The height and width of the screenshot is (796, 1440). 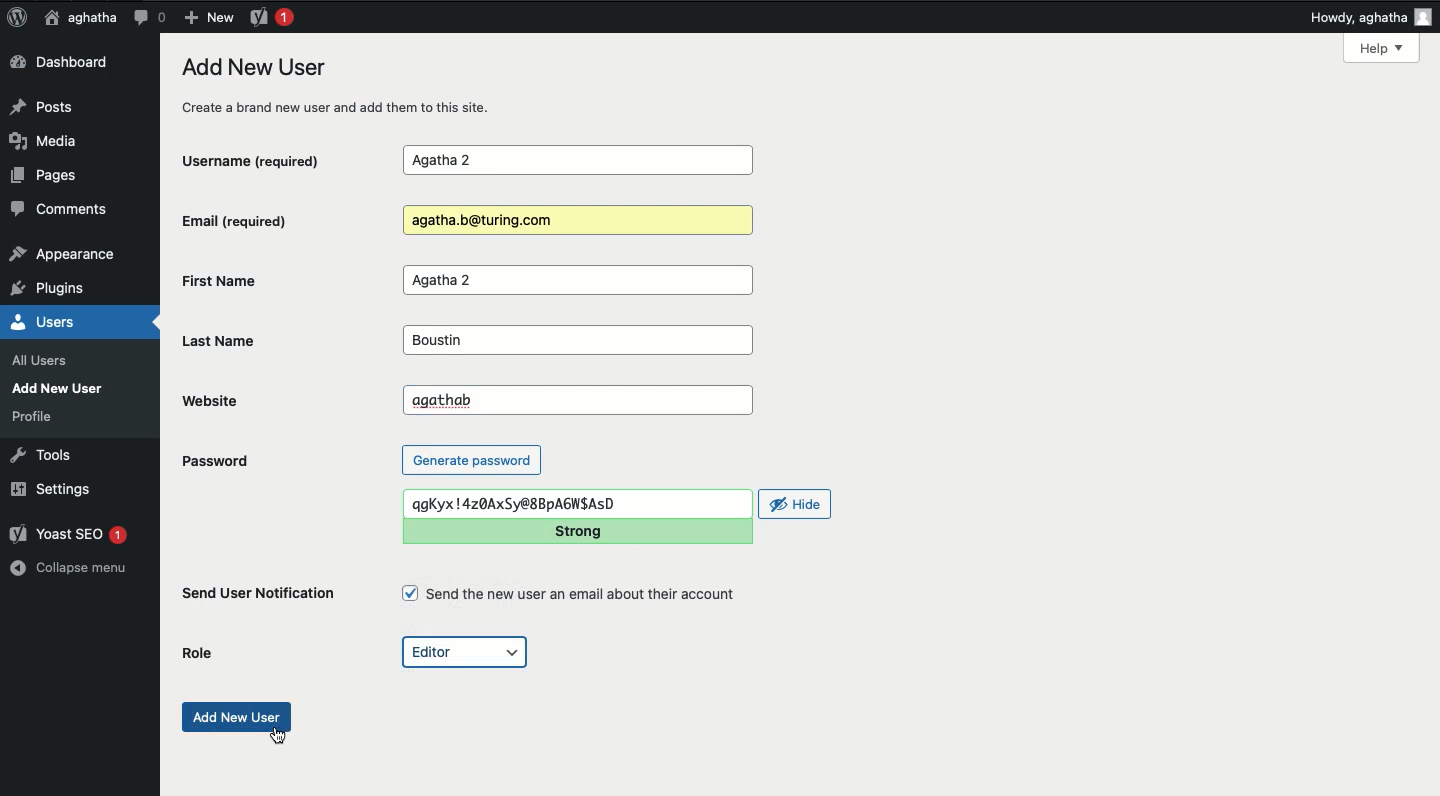 What do you see at coordinates (62, 388) in the screenshot?
I see `Add New User` at bounding box center [62, 388].